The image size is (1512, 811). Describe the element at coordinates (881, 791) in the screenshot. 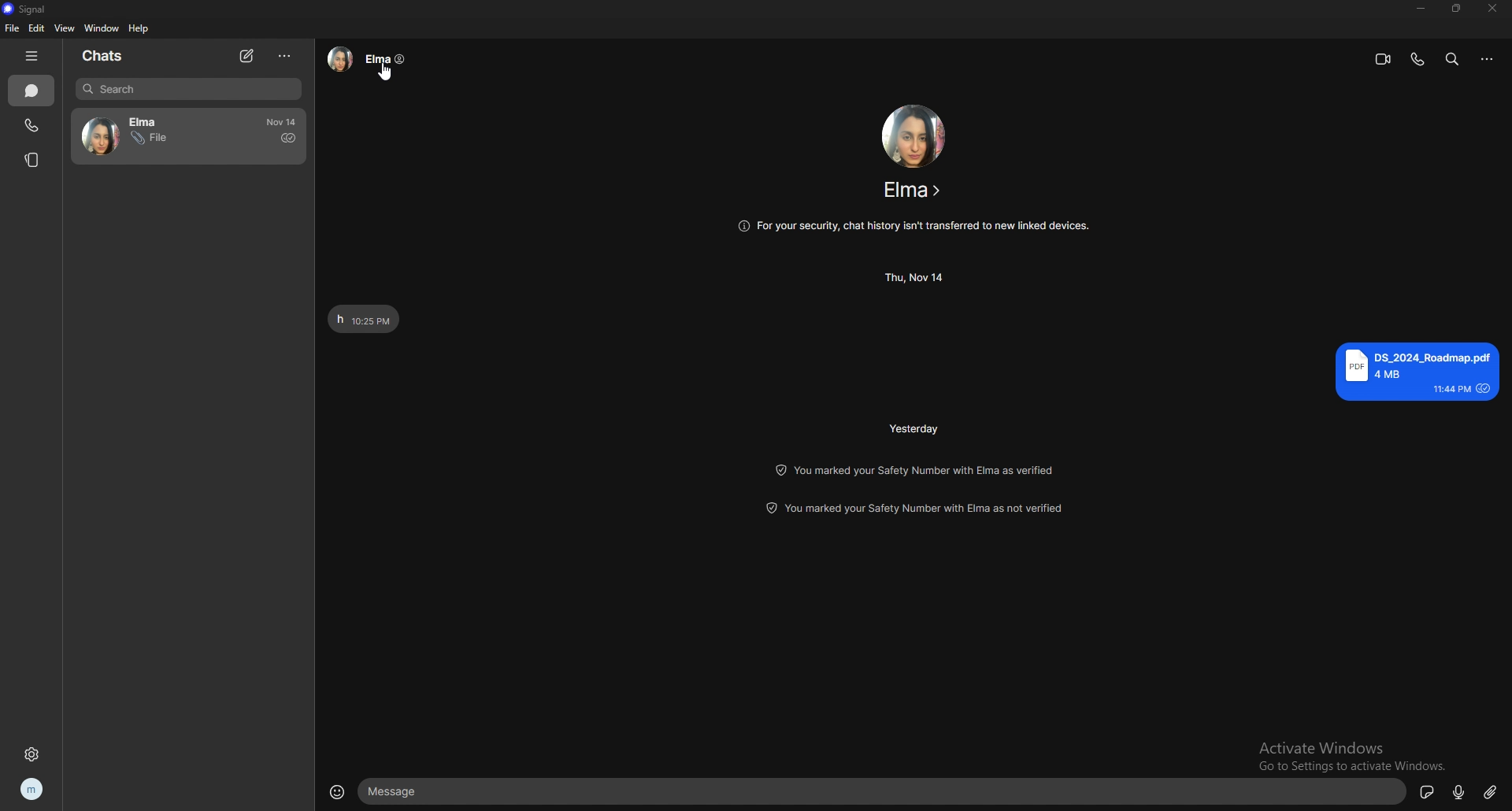

I see `text box` at that location.